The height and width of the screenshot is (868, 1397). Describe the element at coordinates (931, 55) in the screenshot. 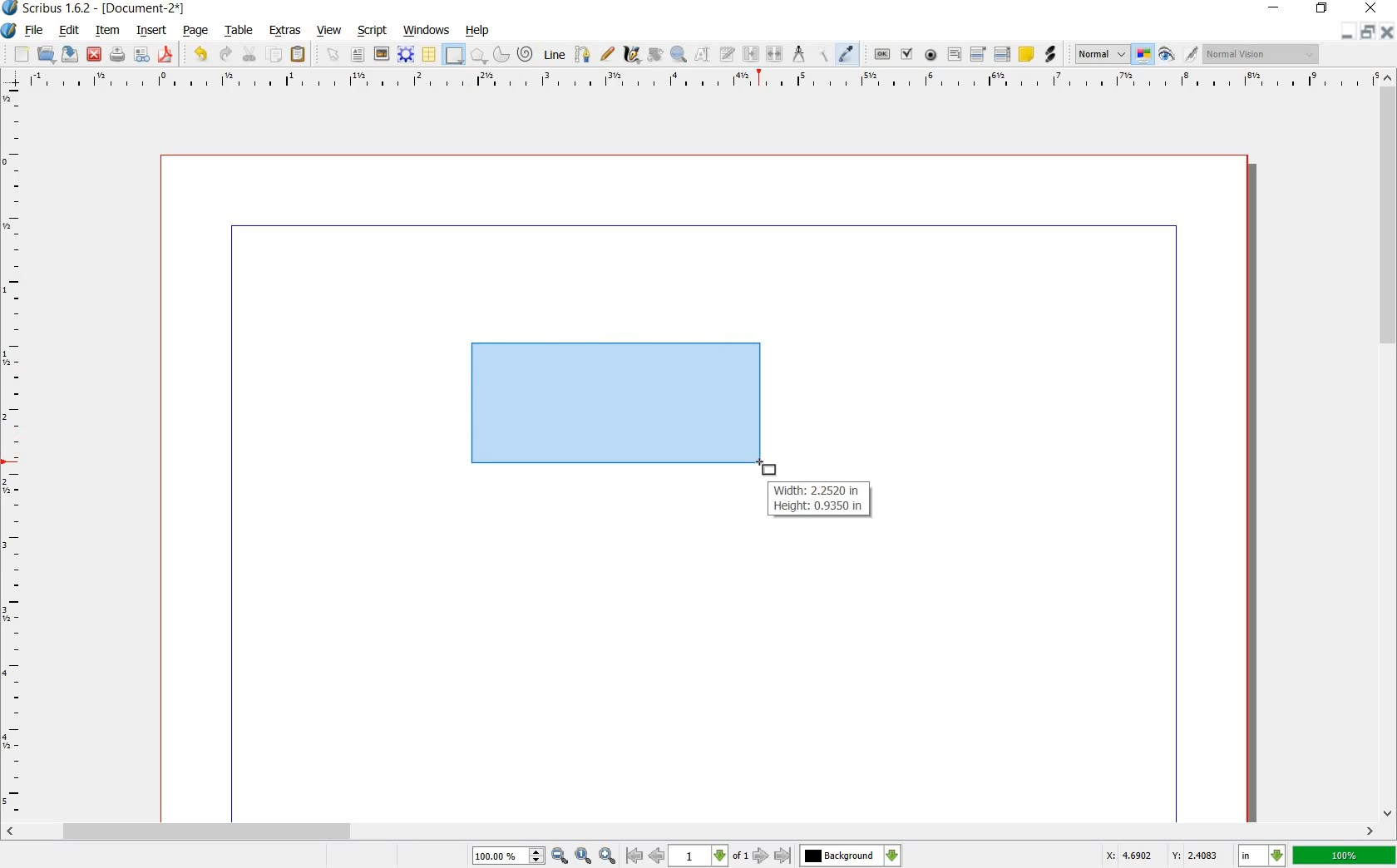

I see `PDF RADIO BUTTON` at that location.